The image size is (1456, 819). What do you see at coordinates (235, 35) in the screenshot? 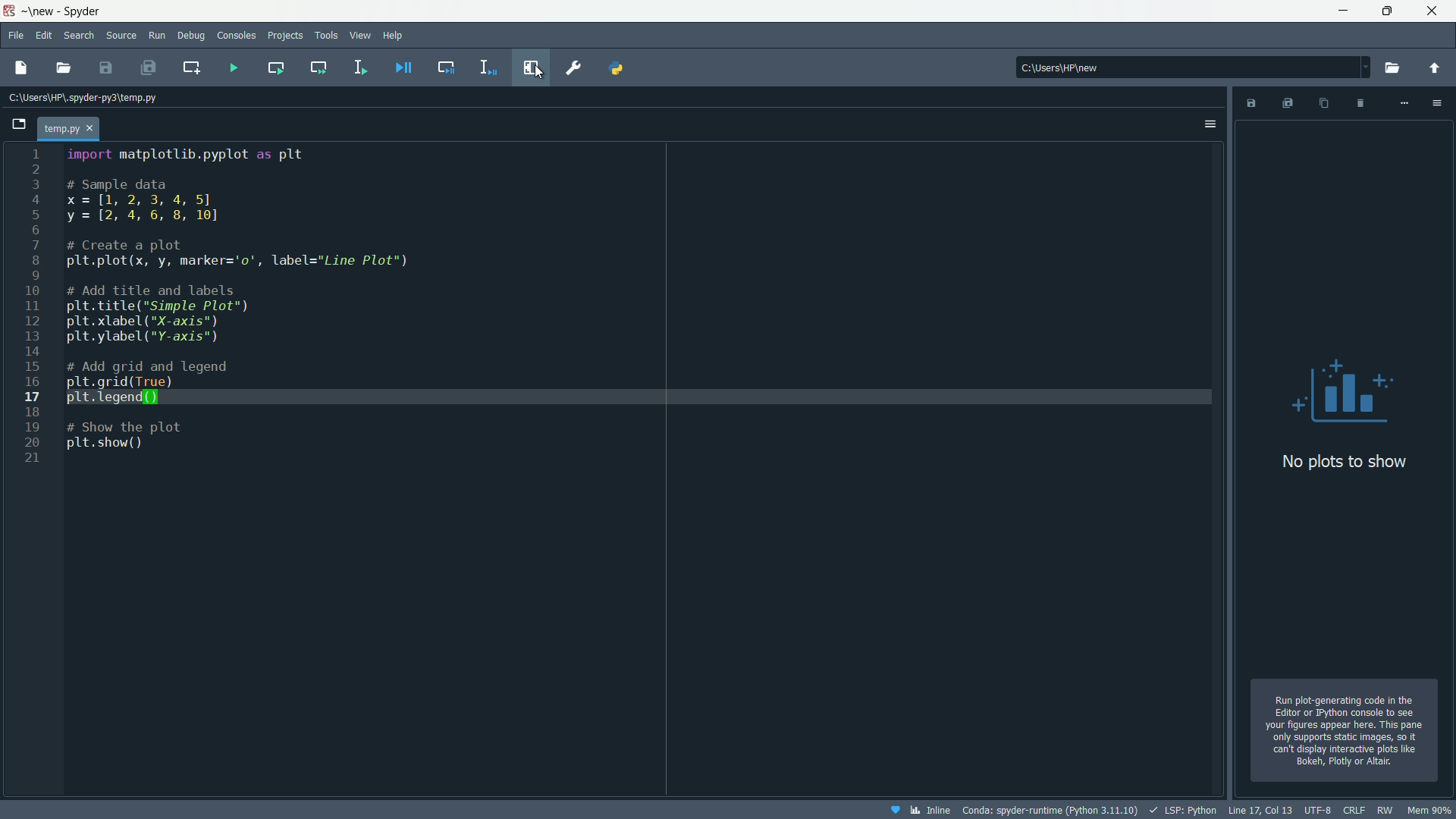
I see `consoles` at bounding box center [235, 35].